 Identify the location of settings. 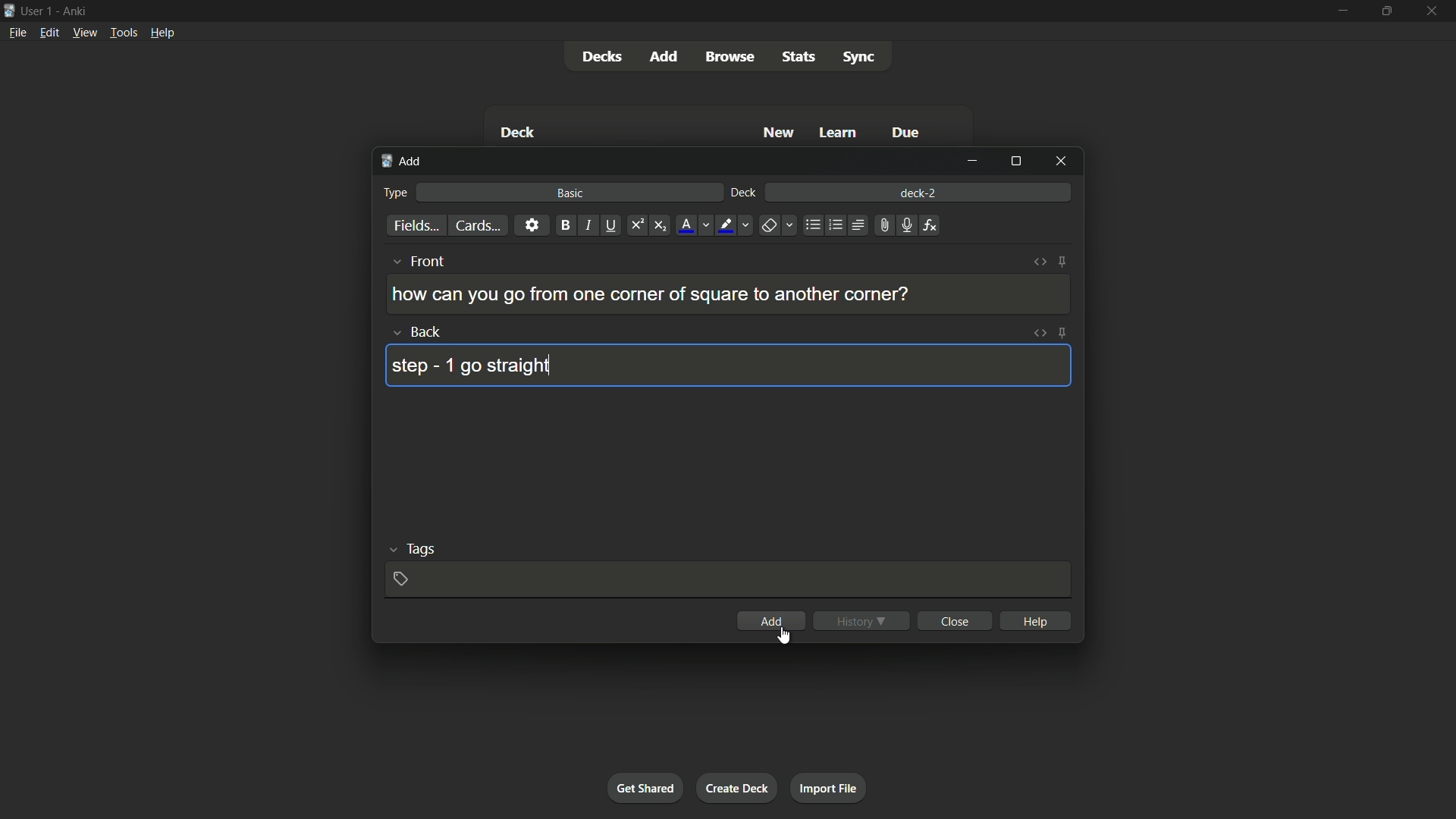
(532, 226).